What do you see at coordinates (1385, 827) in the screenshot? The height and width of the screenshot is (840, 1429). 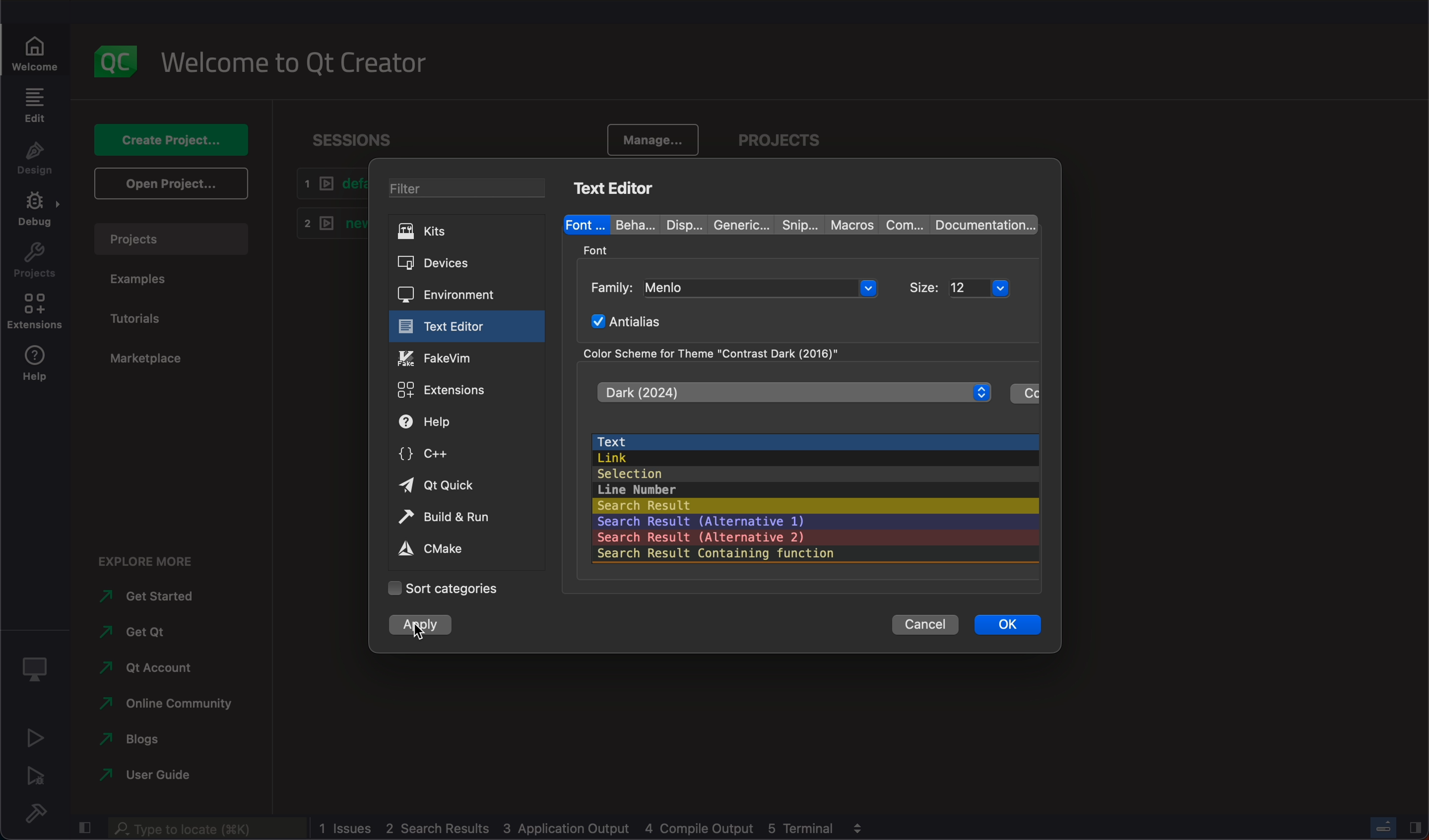 I see `progress bar` at bounding box center [1385, 827].